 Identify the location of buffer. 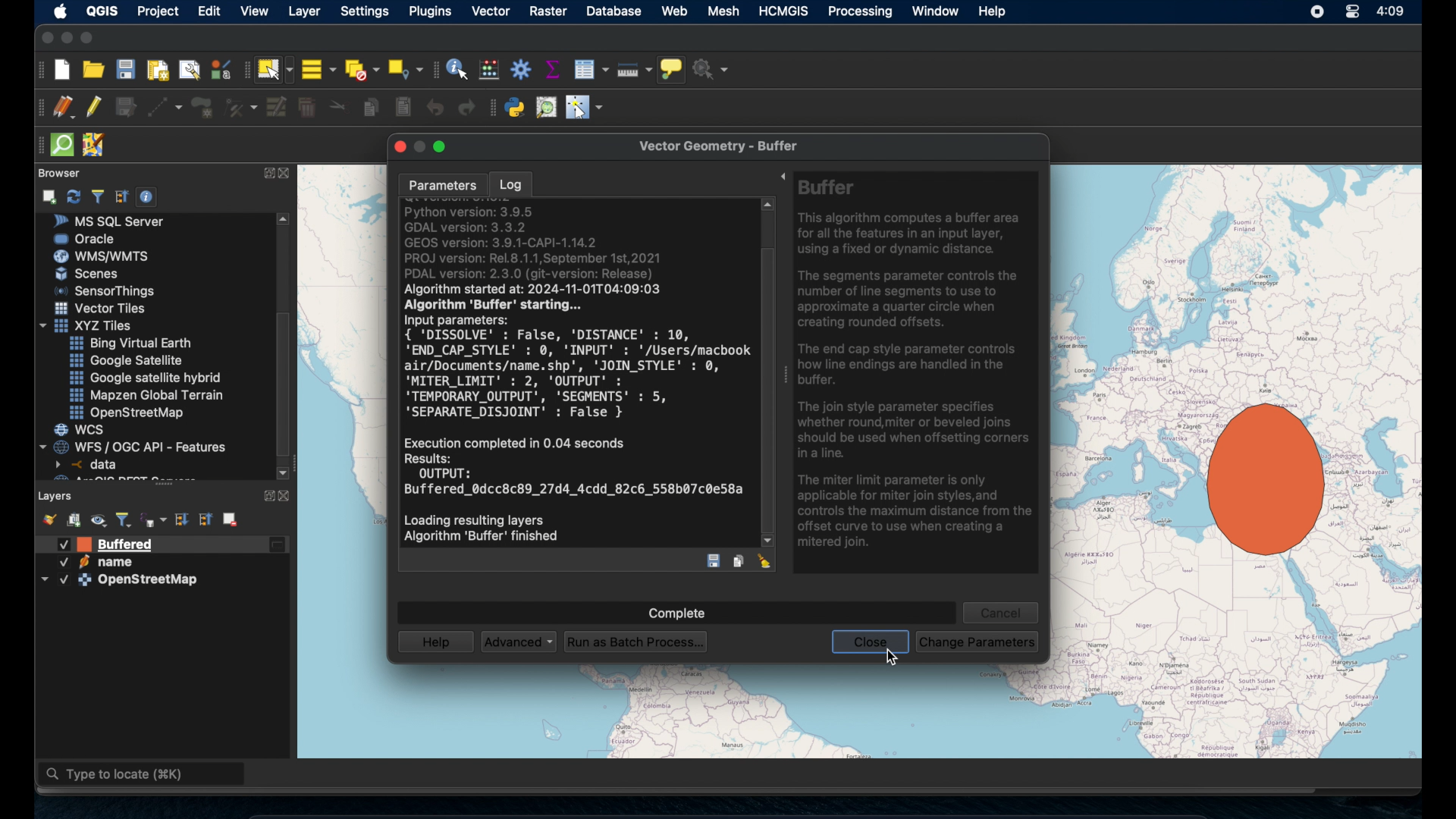
(1257, 482).